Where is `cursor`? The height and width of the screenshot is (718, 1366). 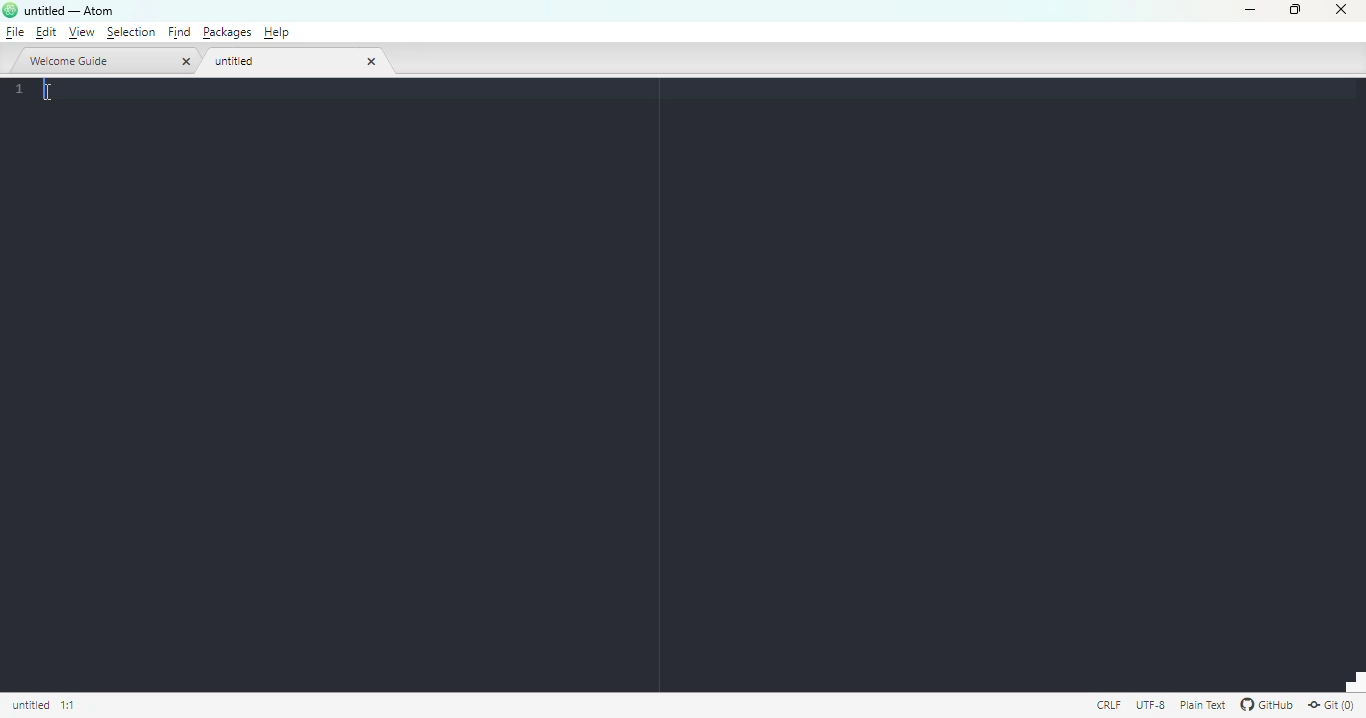 cursor is located at coordinates (52, 95).